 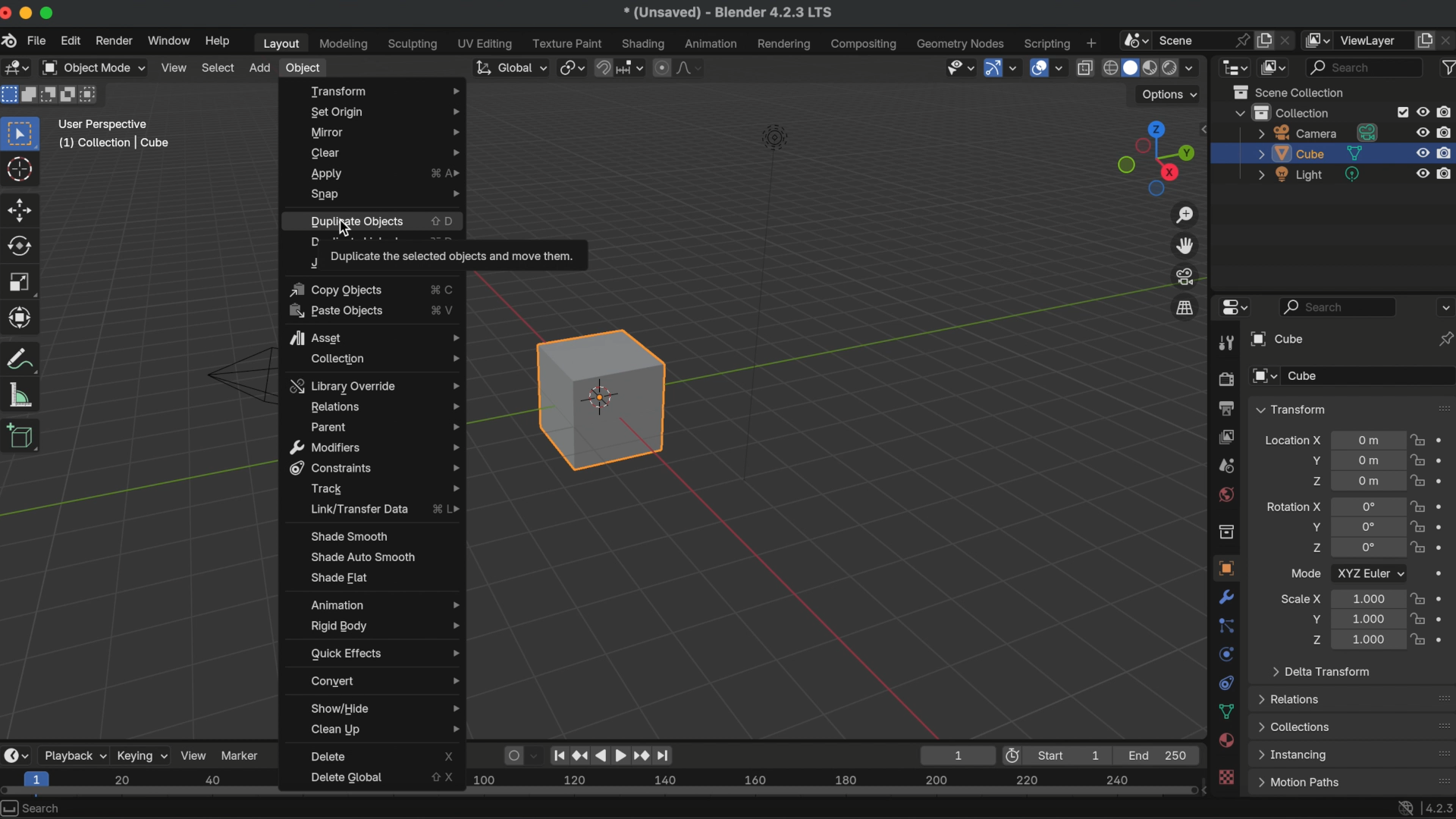 I want to click on browse scene to be linked, so click(x=1134, y=39).